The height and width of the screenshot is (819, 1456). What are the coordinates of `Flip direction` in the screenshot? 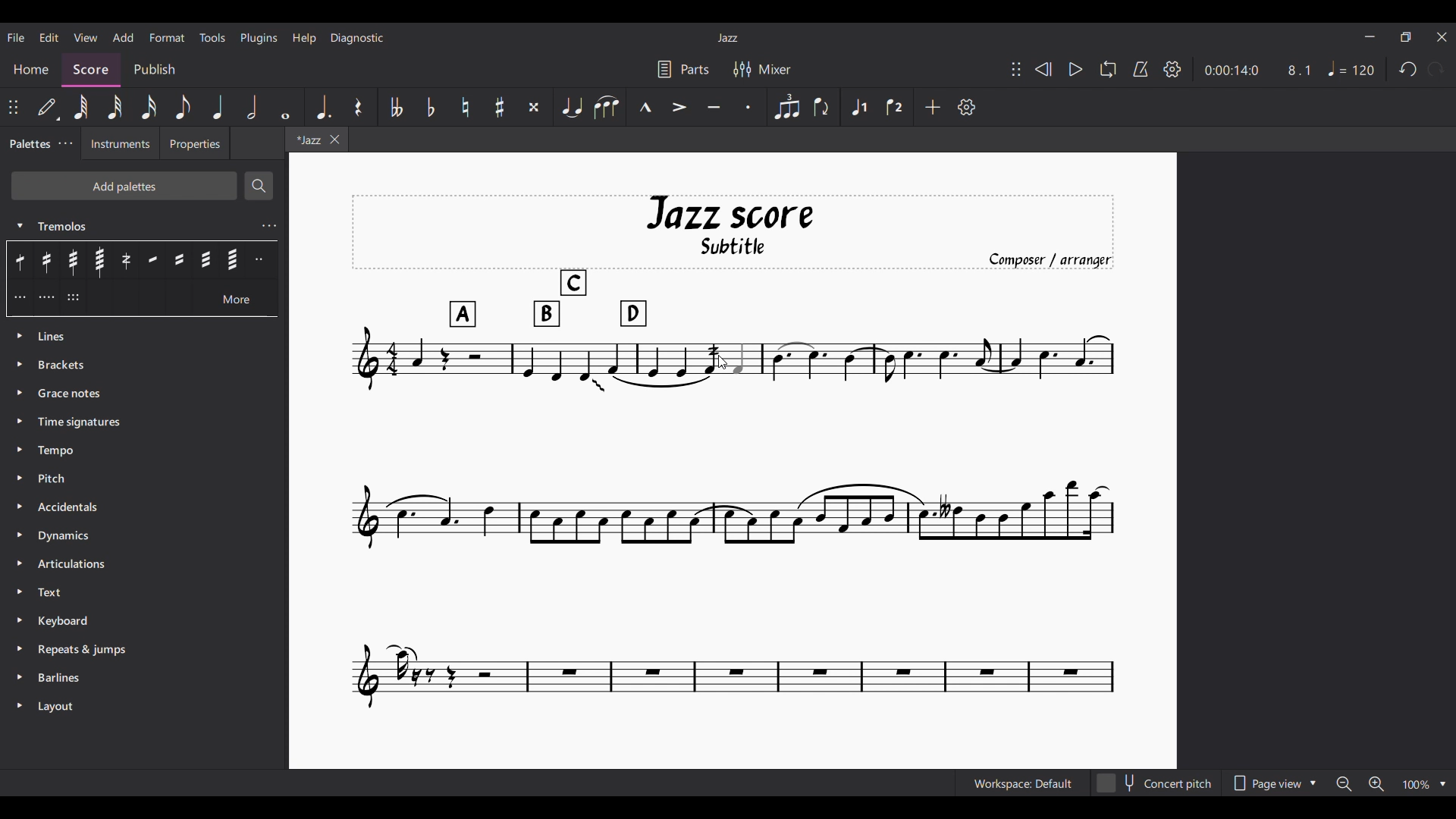 It's located at (824, 108).